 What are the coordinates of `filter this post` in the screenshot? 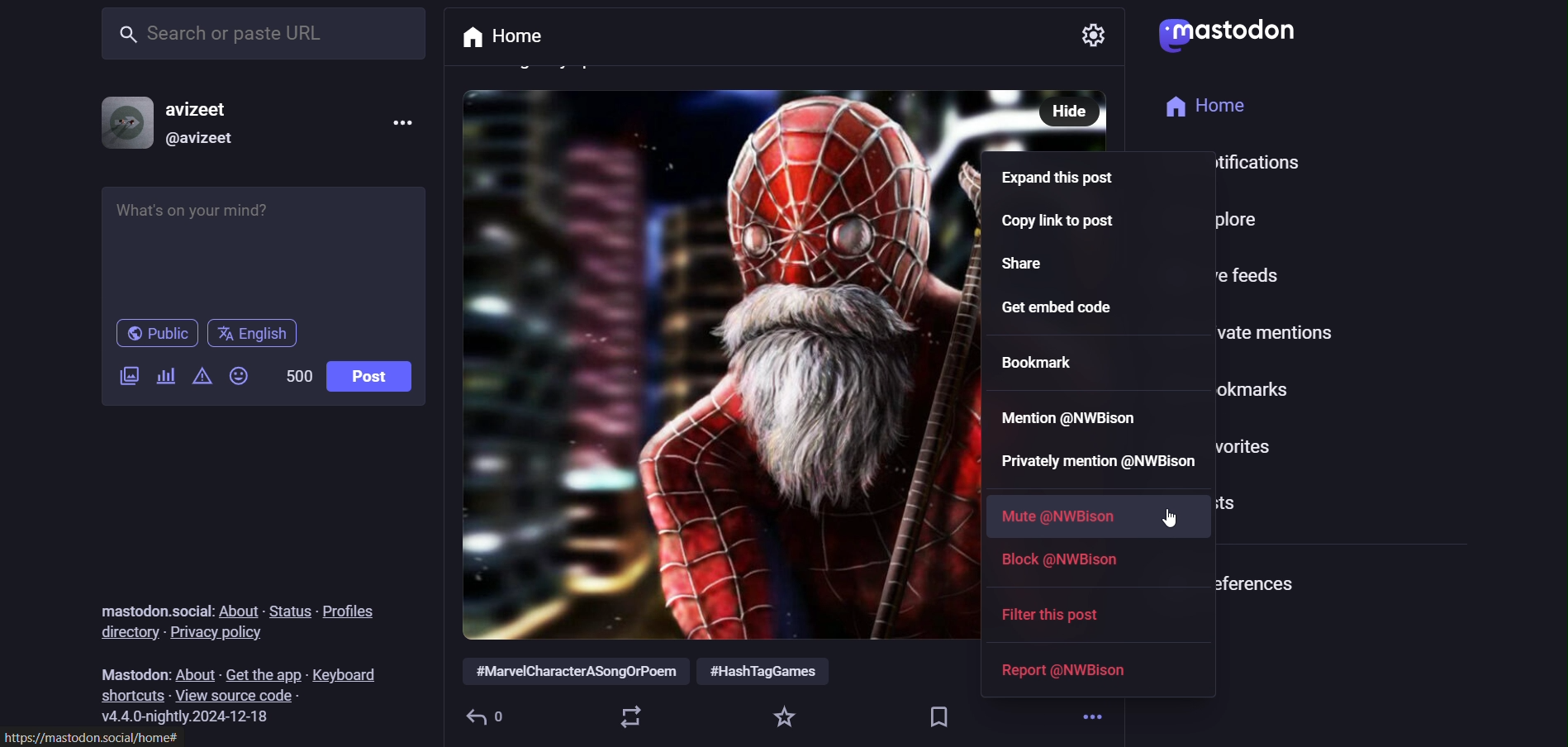 It's located at (1062, 614).